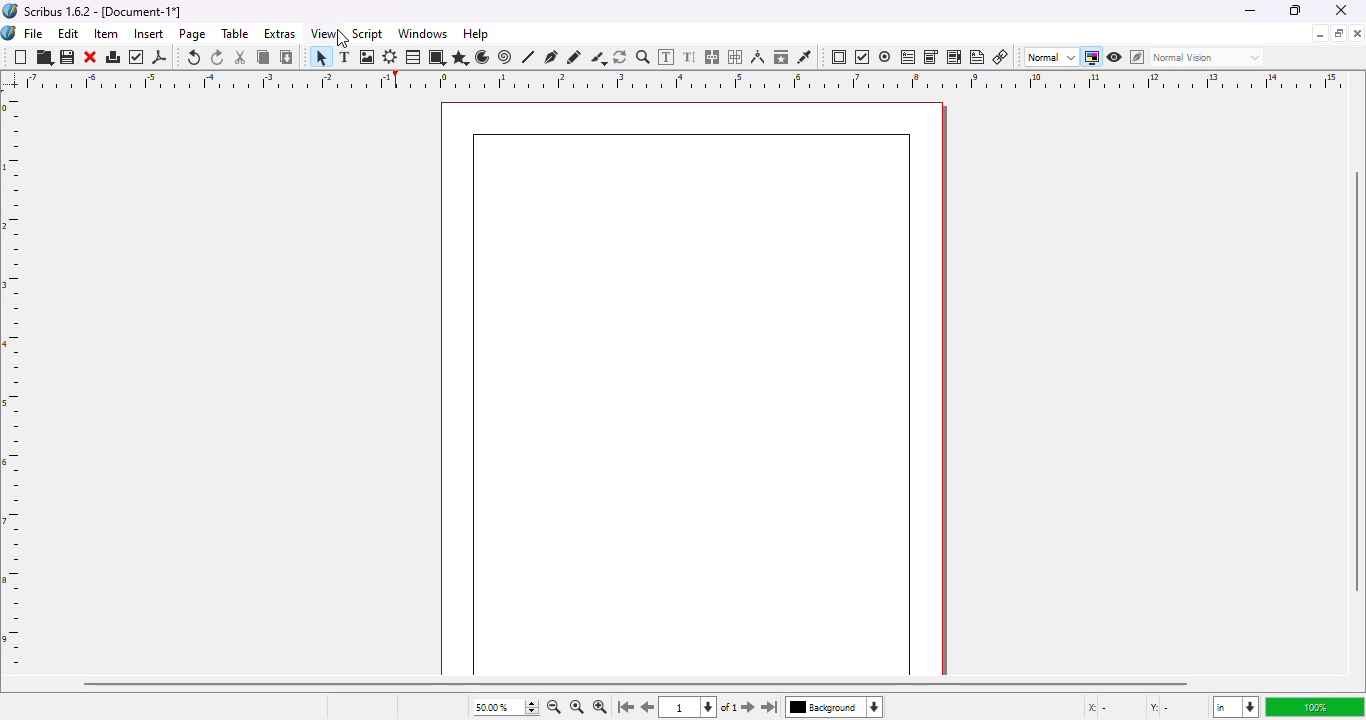 This screenshot has width=1366, height=720. I want to click on ruler, so click(674, 81).